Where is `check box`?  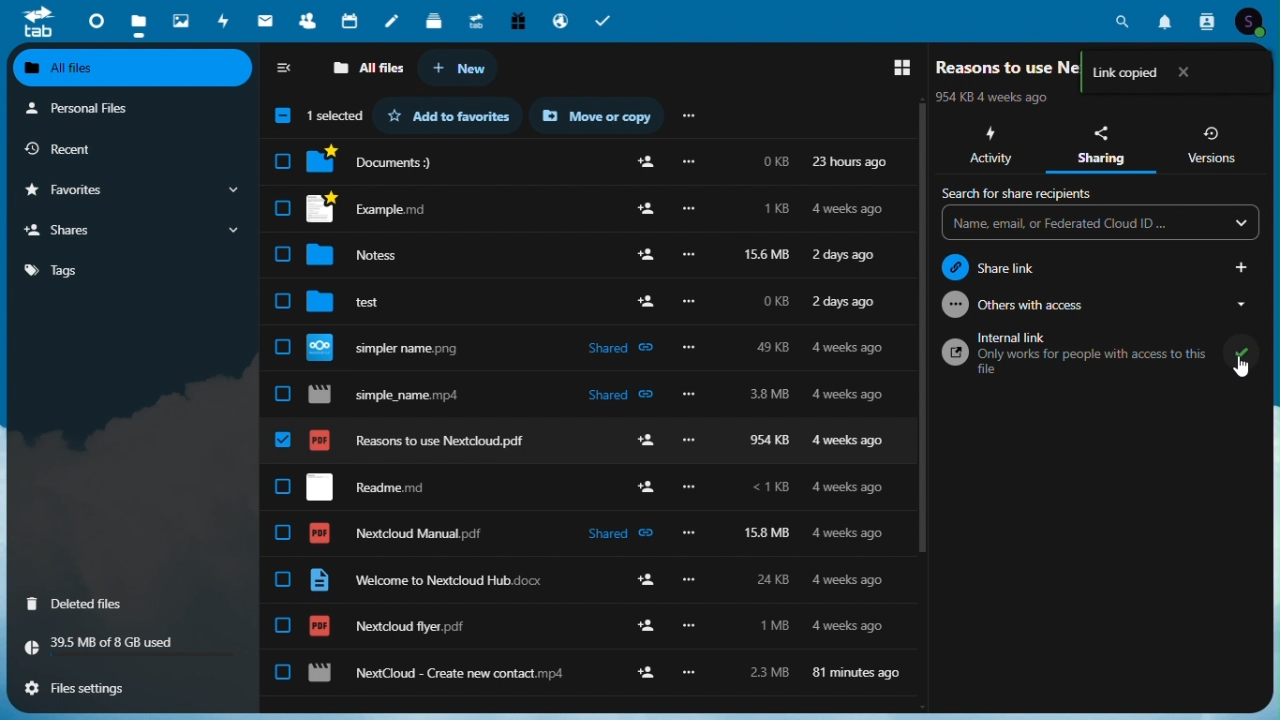
check box is located at coordinates (282, 394).